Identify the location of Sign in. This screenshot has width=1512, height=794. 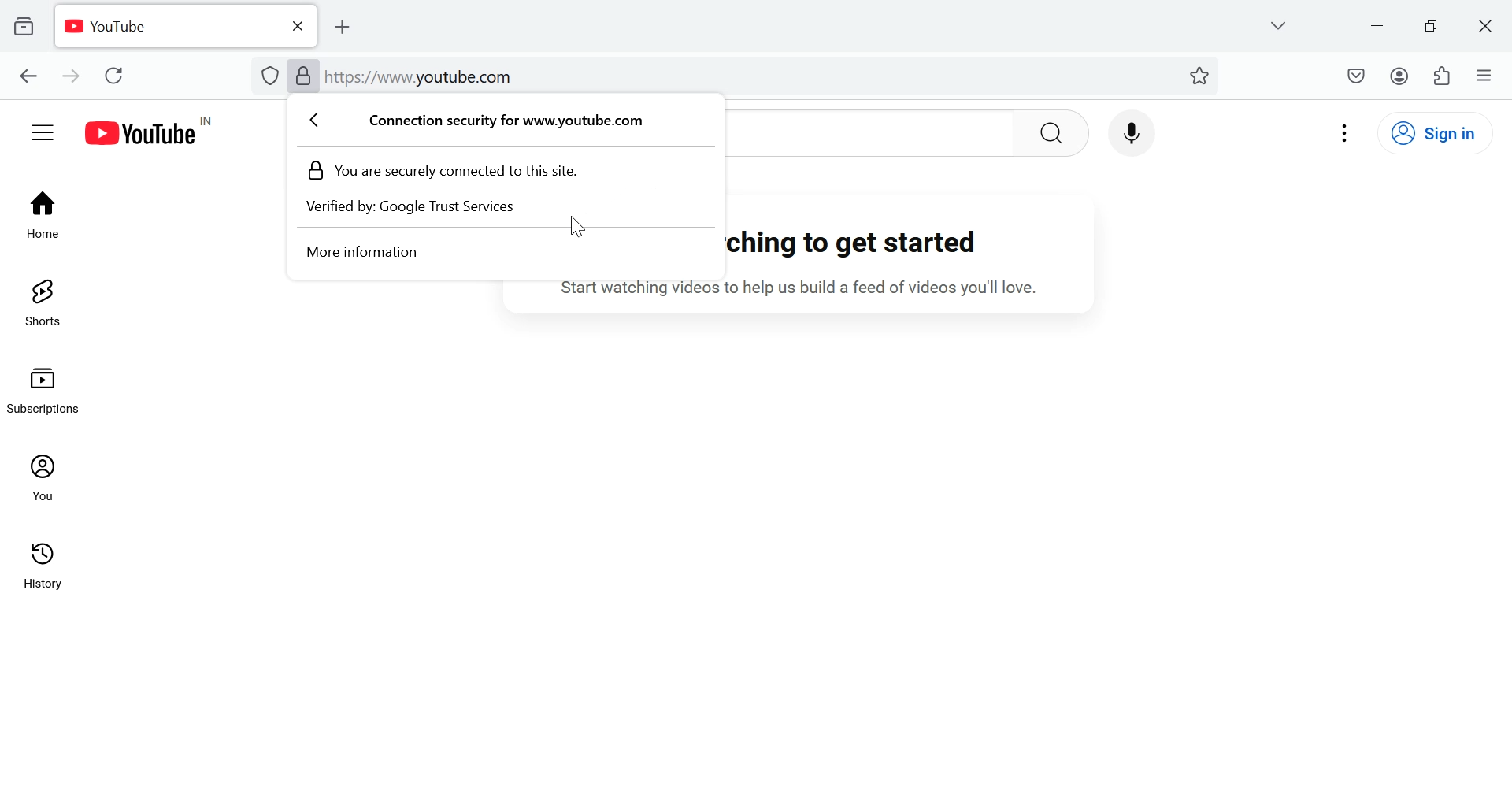
(1444, 132).